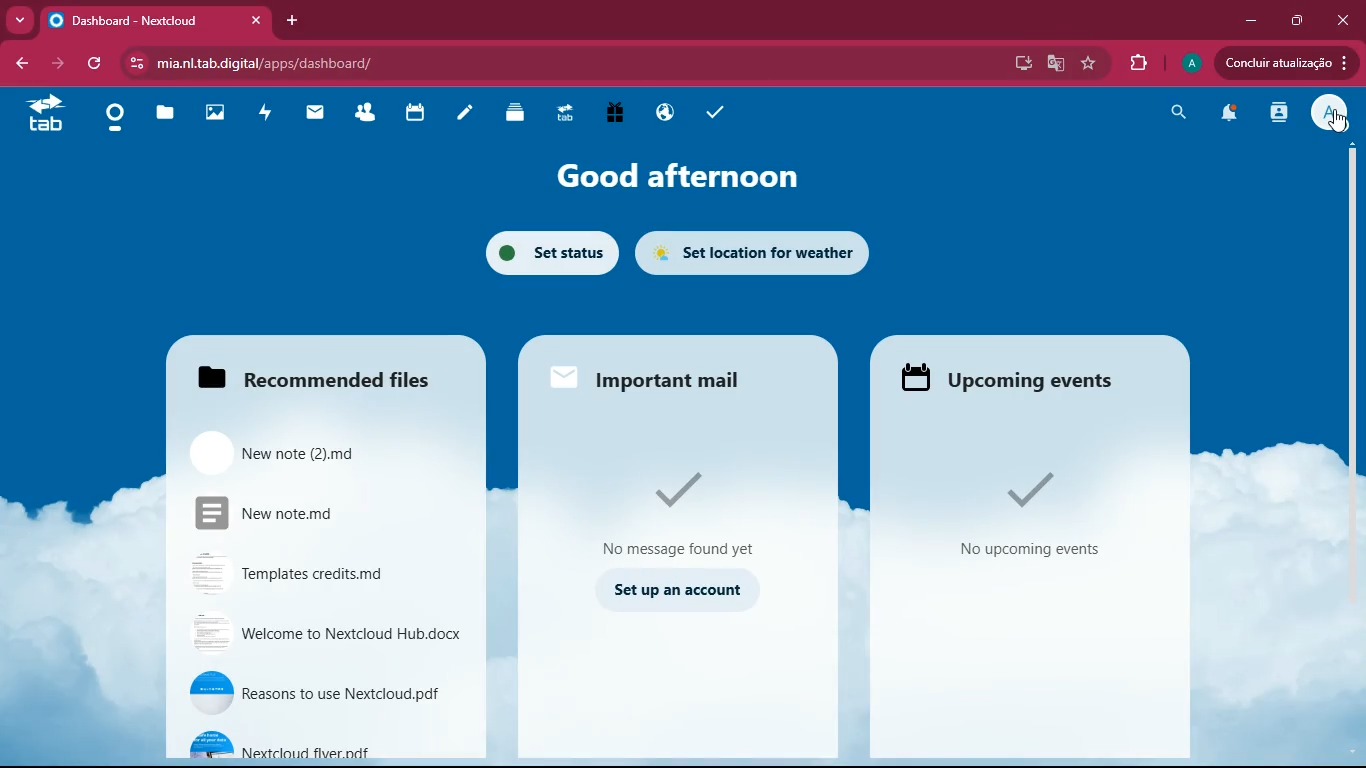 The width and height of the screenshot is (1366, 768). What do you see at coordinates (674, 176) in the screenshot?
I see `good afternoon` at bounding box center [674, 176].